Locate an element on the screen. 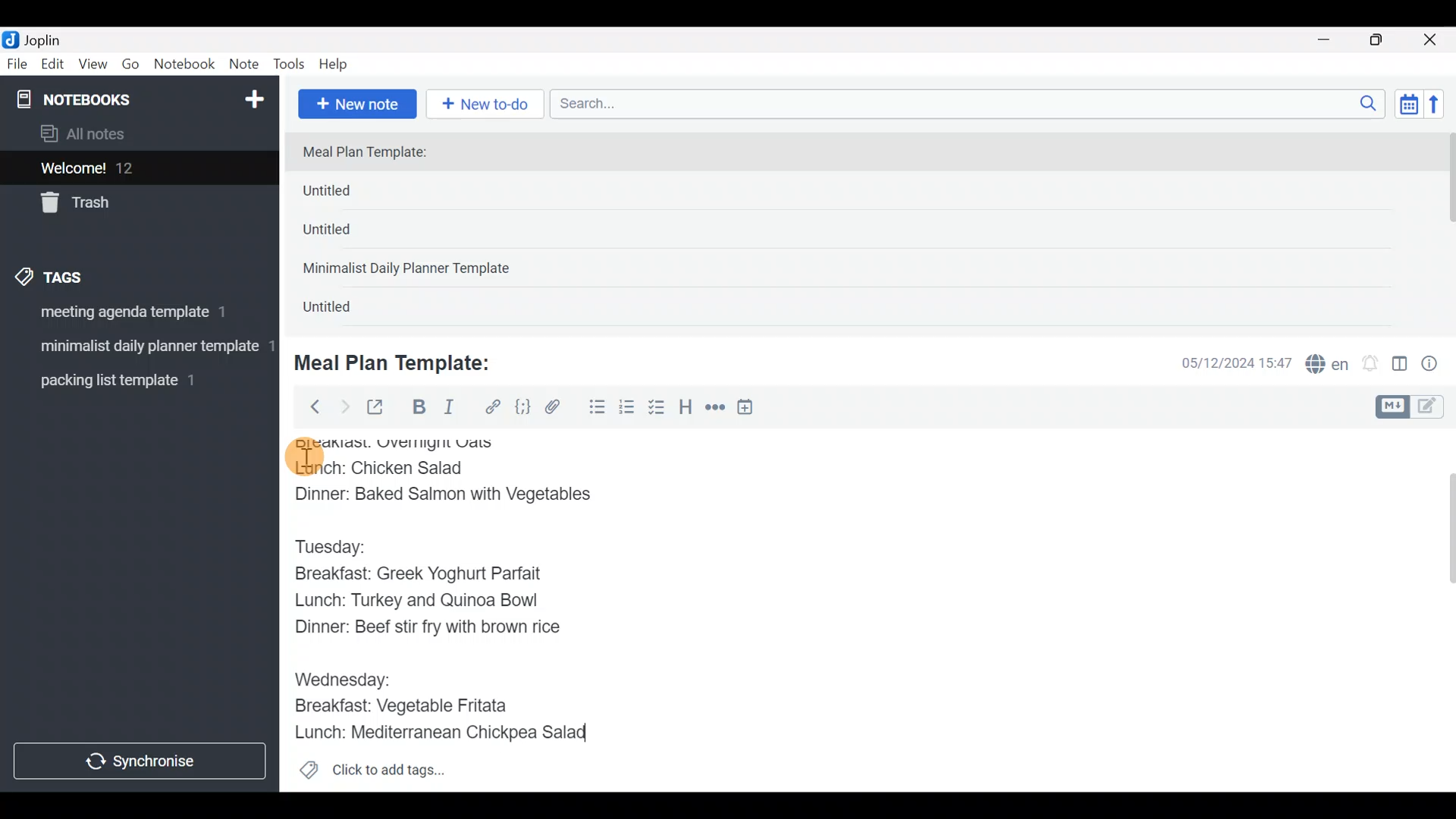 Image resolution: width=1456 pixels, height=819 pixels. Bulleted list is located at coordinates (594, 408).